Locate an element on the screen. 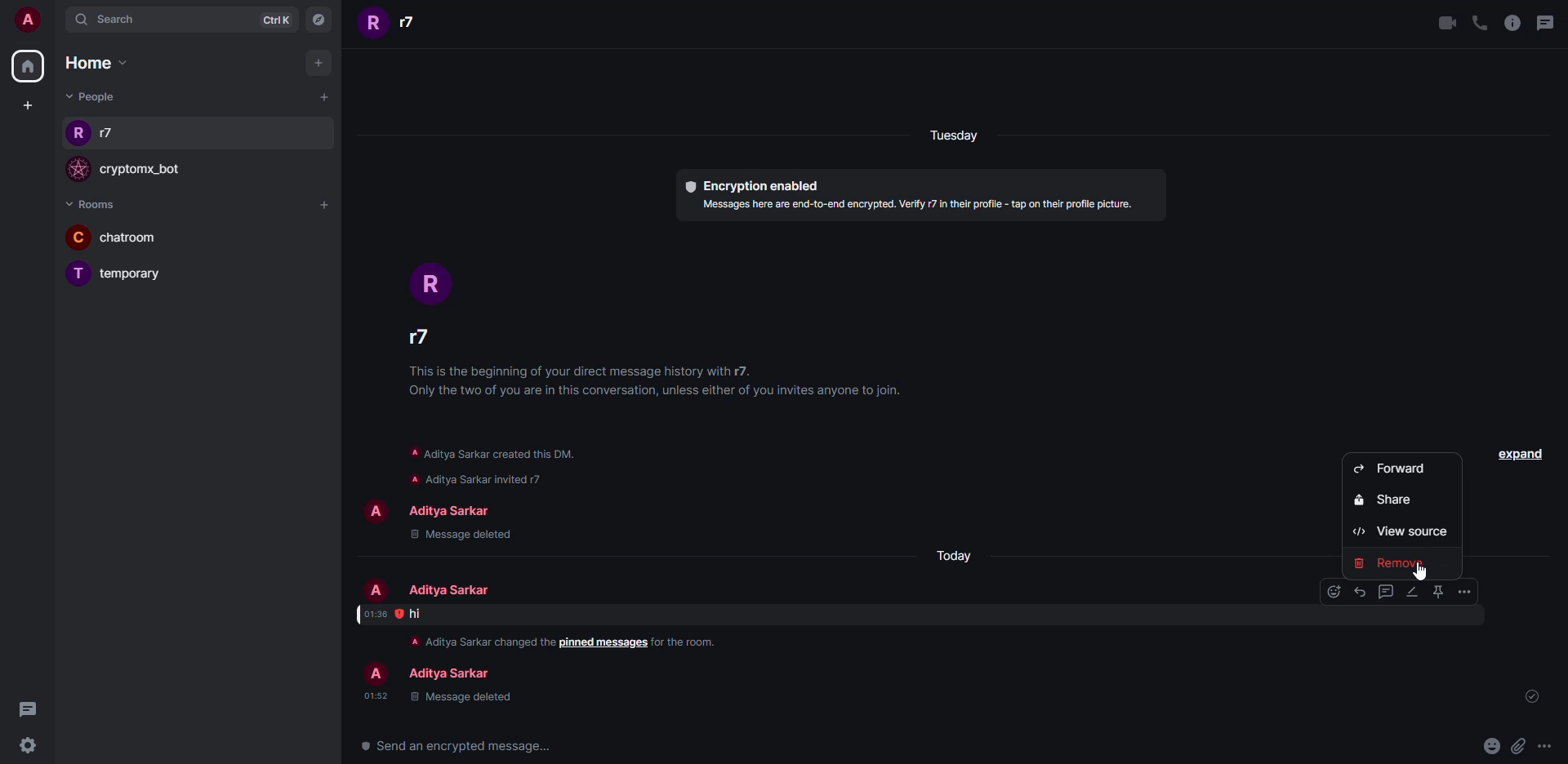  profile is located at coordinates (77, 237).